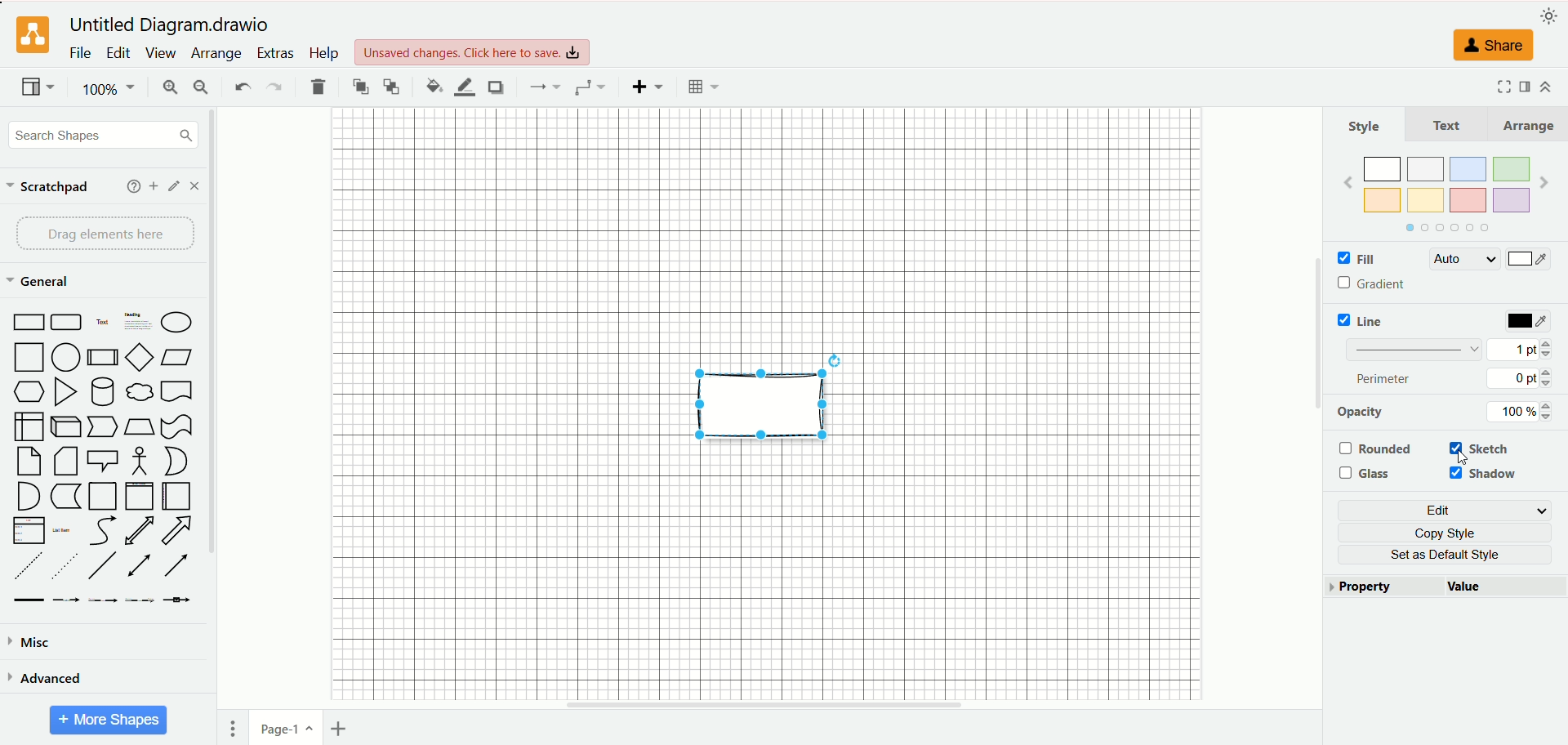  Describe the element at coordinates (1467, 459) in the screenshot. I see `cursor at sketch` at that location.